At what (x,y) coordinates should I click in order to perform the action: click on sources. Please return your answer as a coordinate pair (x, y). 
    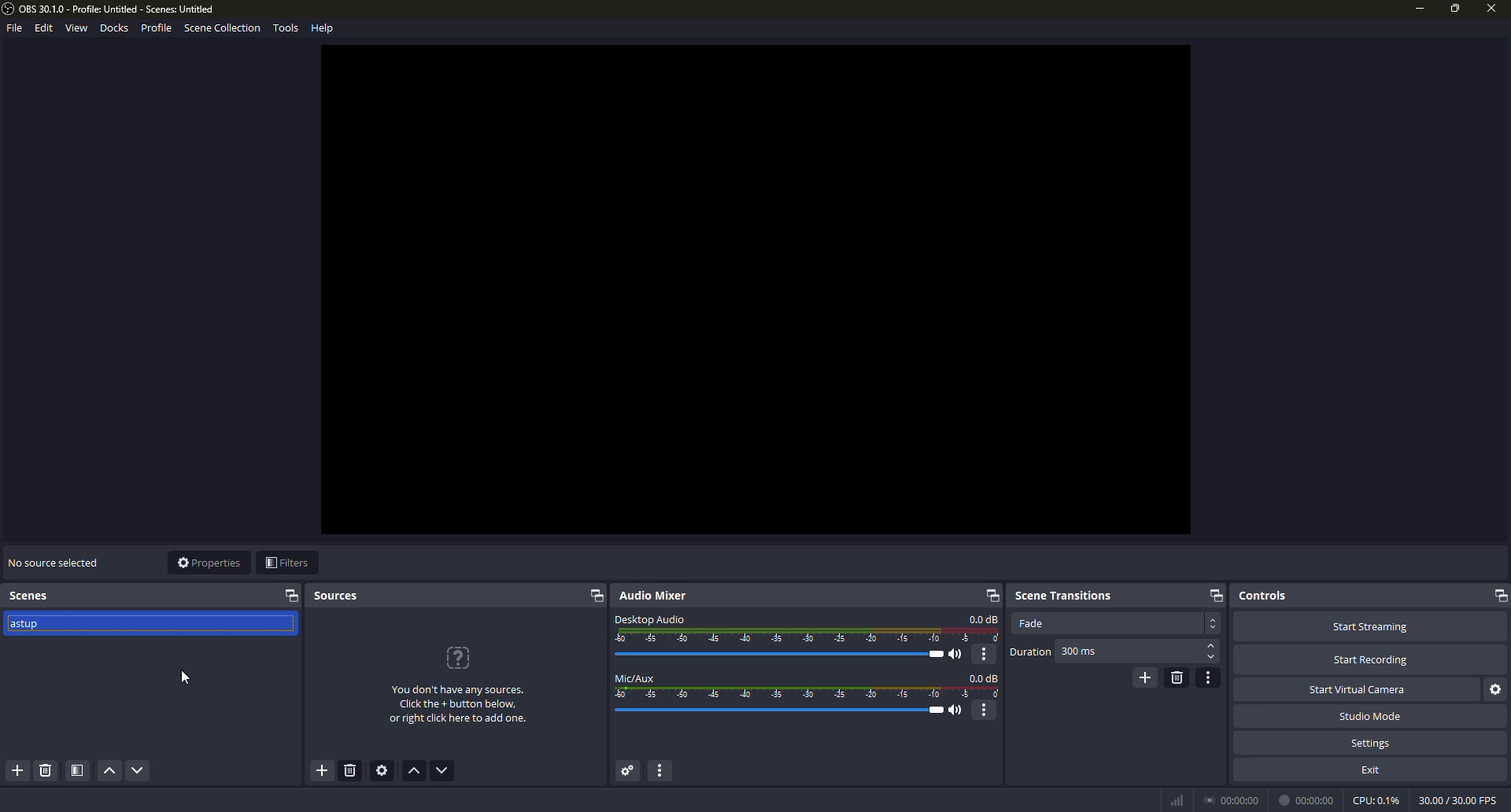
    Looking at the image, I should click on (338, 596).